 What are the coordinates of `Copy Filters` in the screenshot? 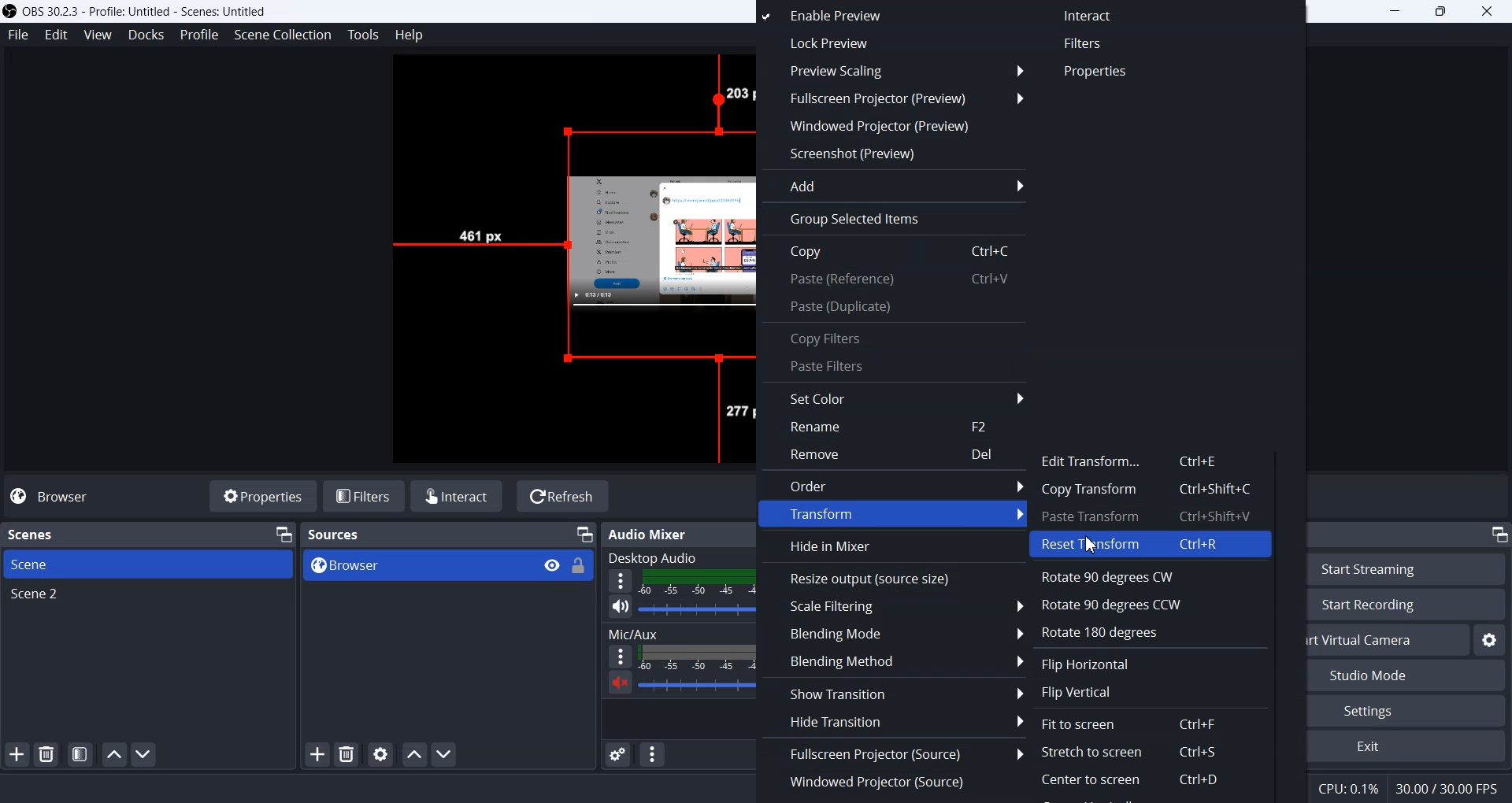 It's located at (895, 336).